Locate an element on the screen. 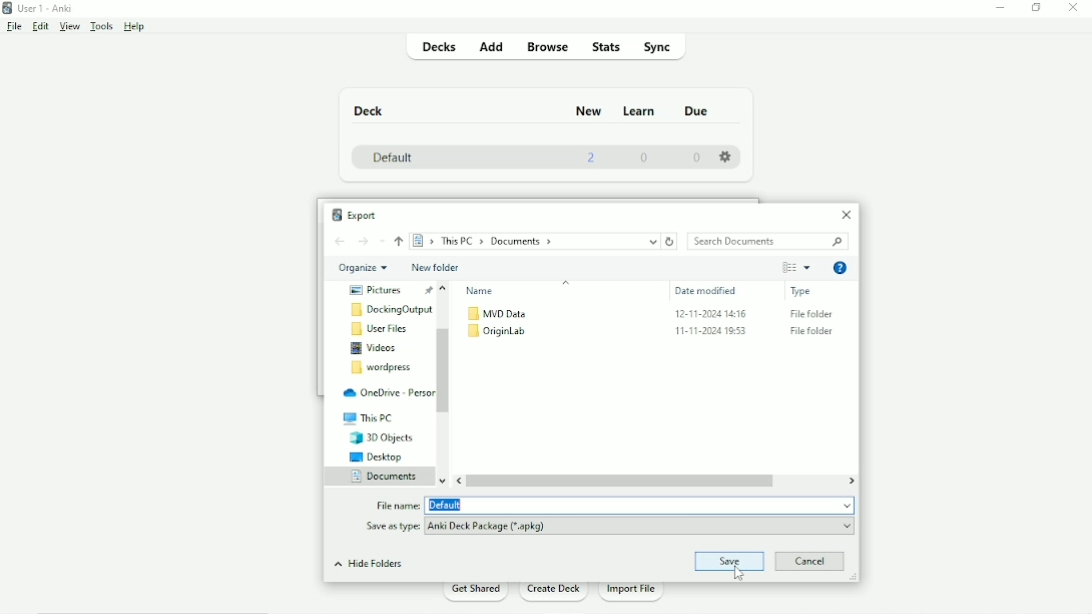  Export is located at coordinates (355, 215).